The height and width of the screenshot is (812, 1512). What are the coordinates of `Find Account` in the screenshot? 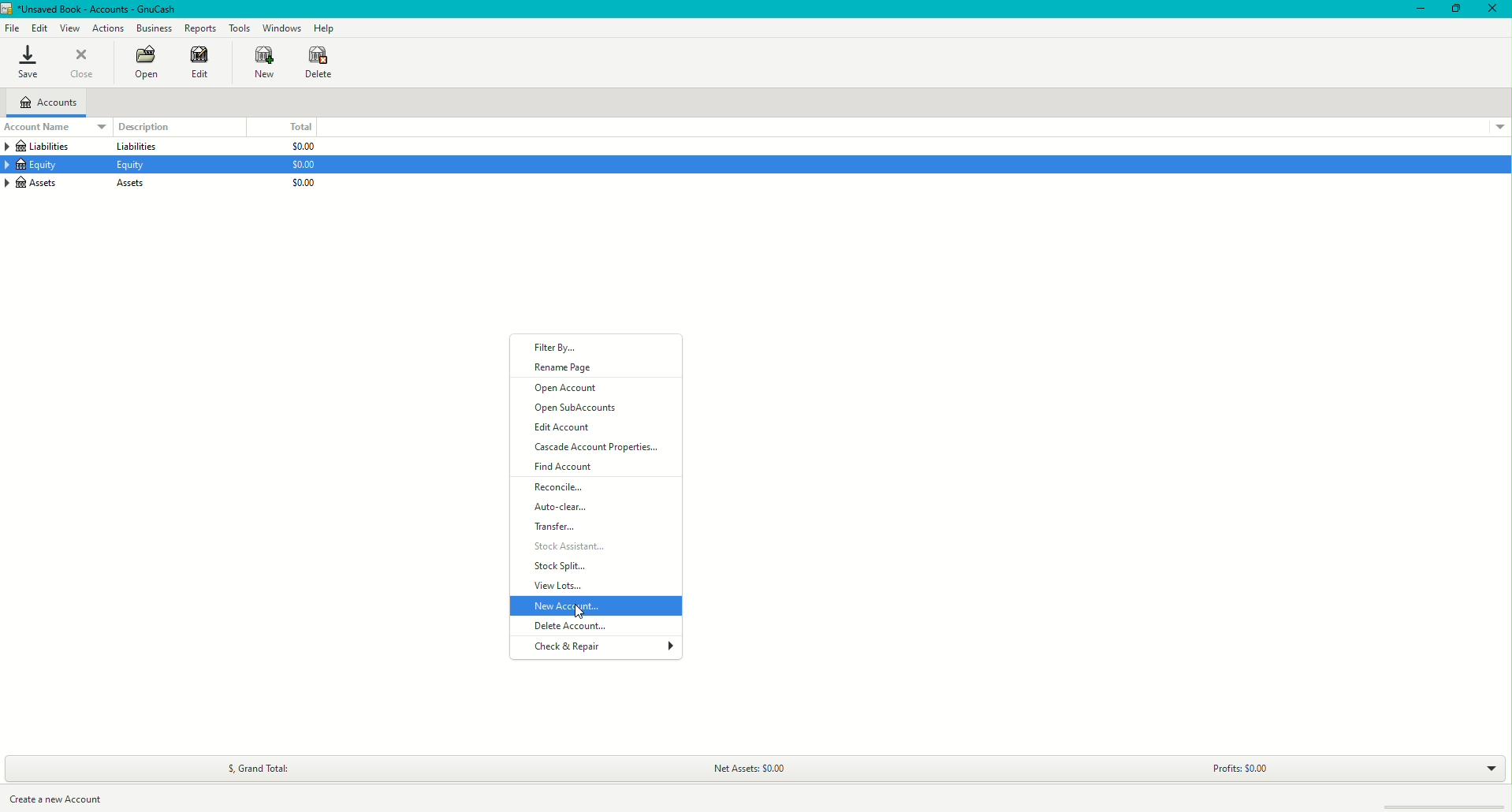 It's located at (567, 466).